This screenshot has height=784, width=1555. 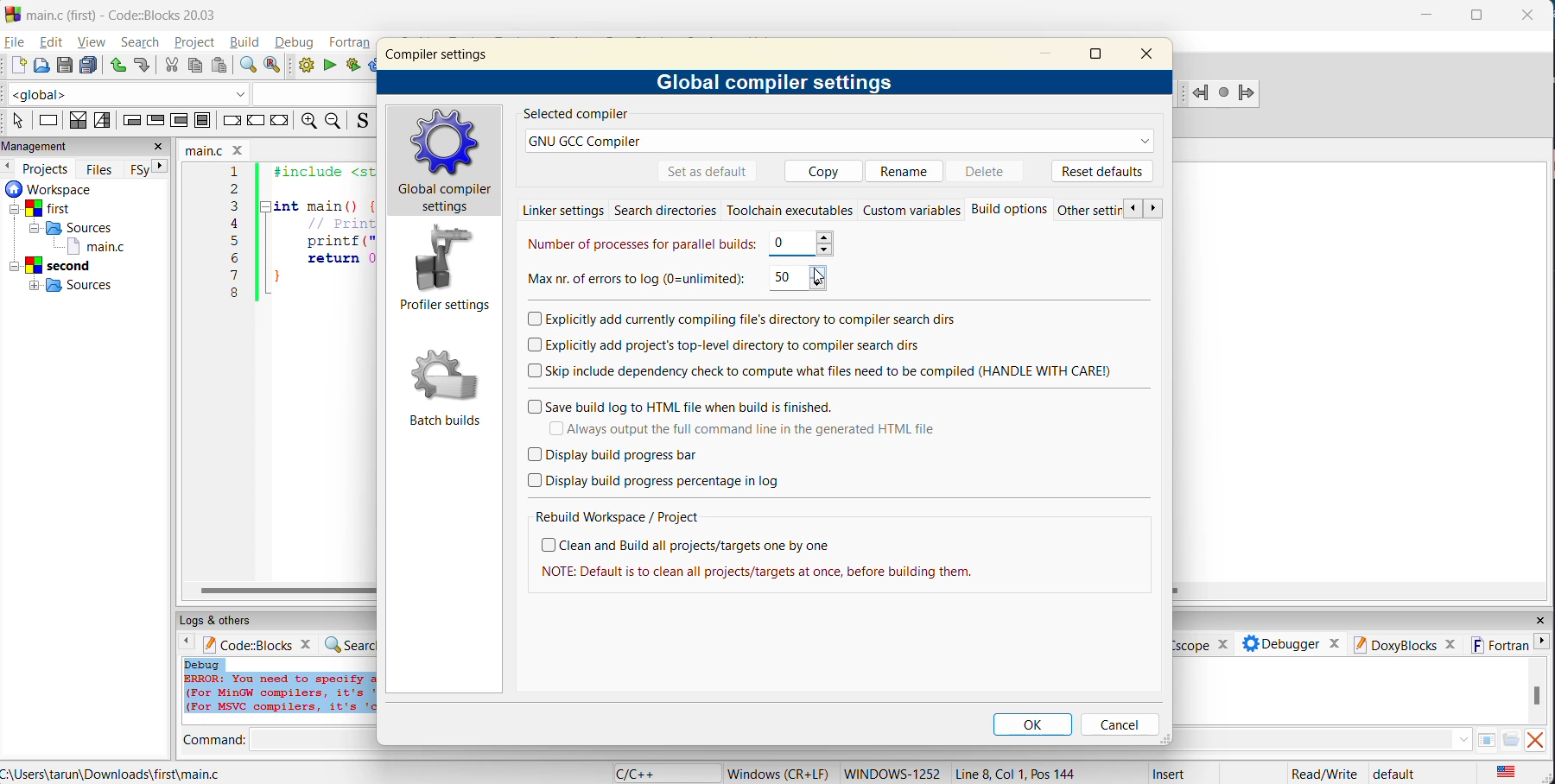 What do you see at coordinates (331, 66) in the screenshot?
I see `run` at bounding box center [331, 66].